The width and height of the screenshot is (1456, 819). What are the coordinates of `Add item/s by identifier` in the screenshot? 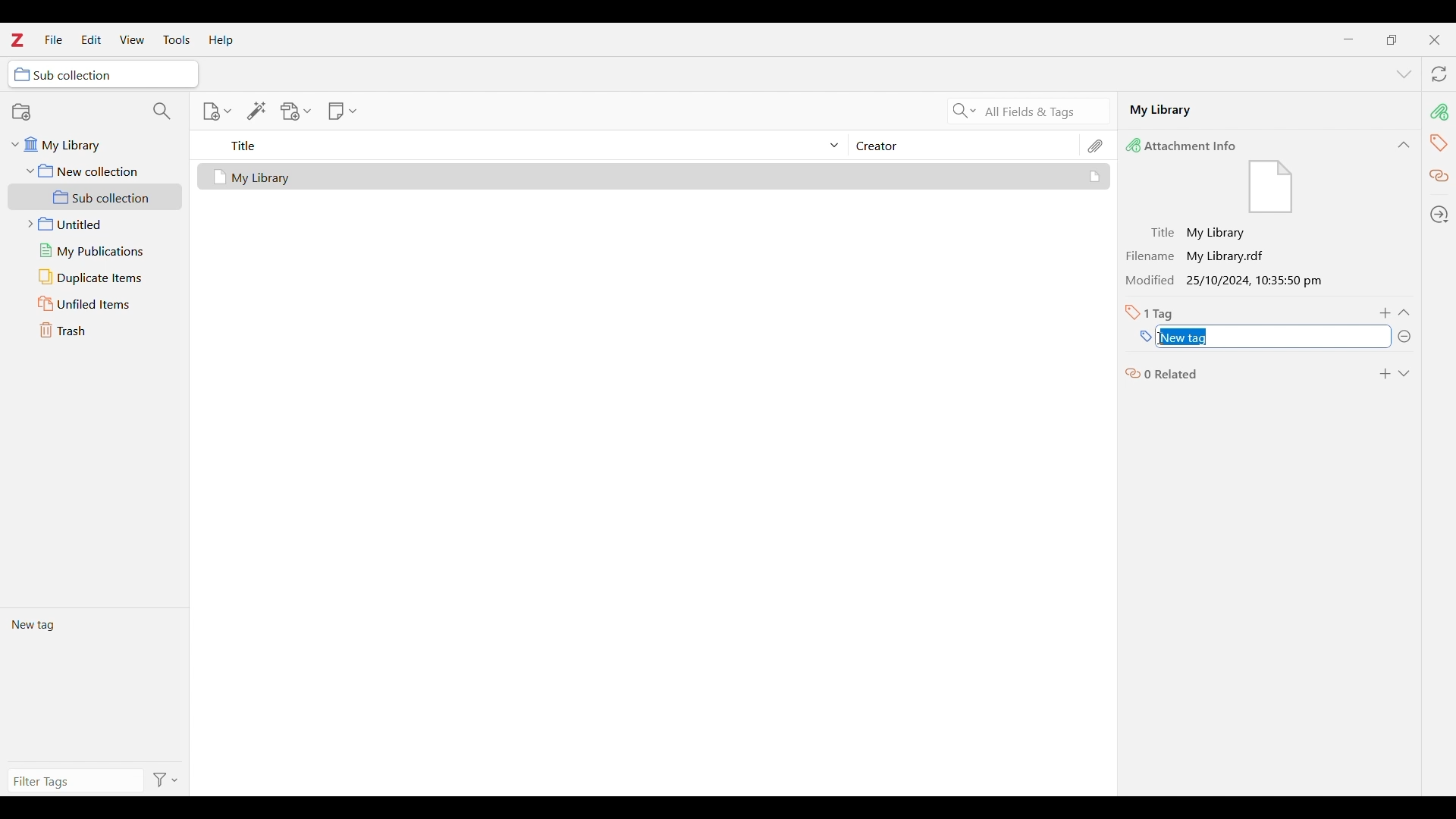 It's located at (257, 111).